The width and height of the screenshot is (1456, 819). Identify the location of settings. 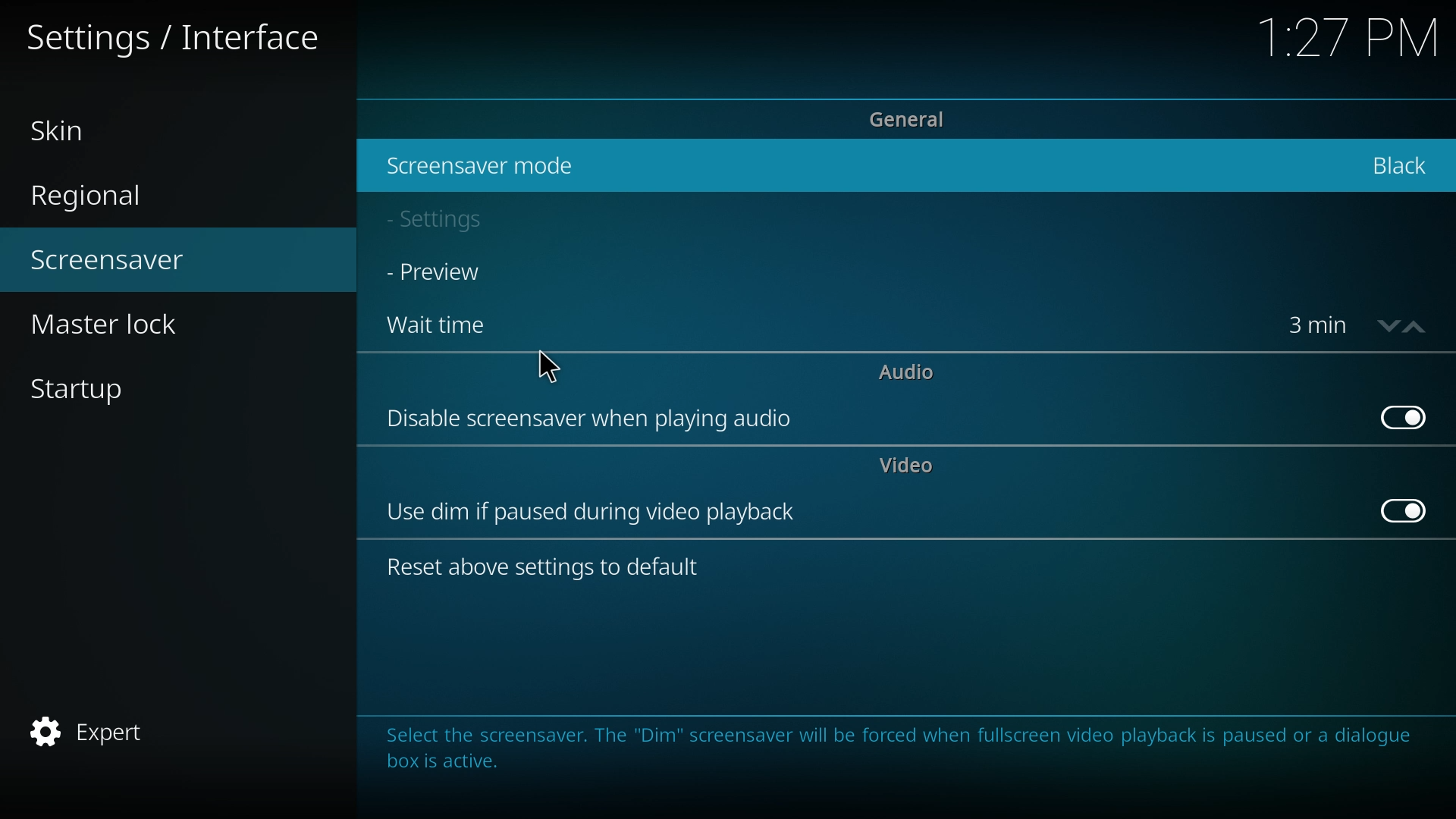
(457, 219).